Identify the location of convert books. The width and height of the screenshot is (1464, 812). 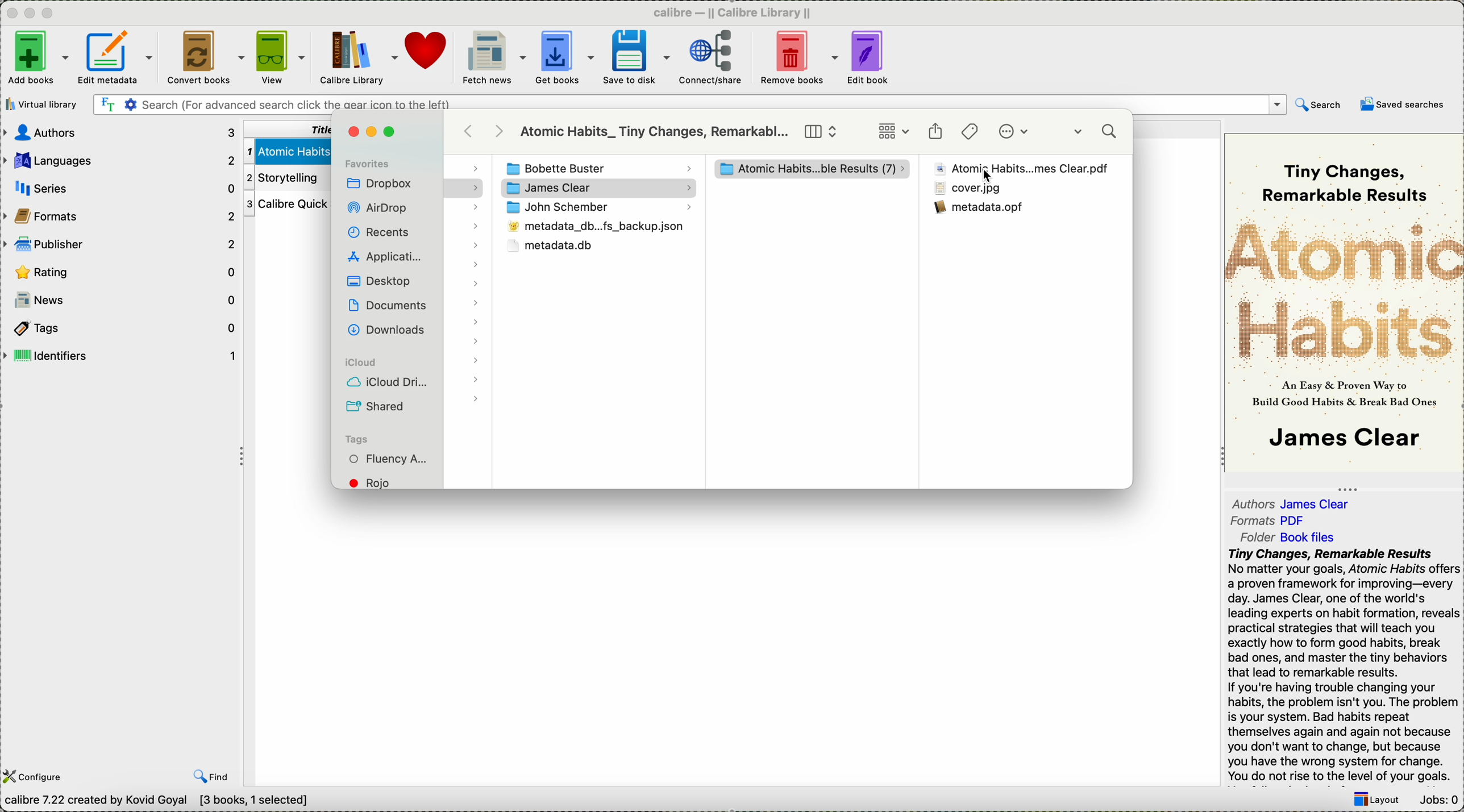
(203, 59).